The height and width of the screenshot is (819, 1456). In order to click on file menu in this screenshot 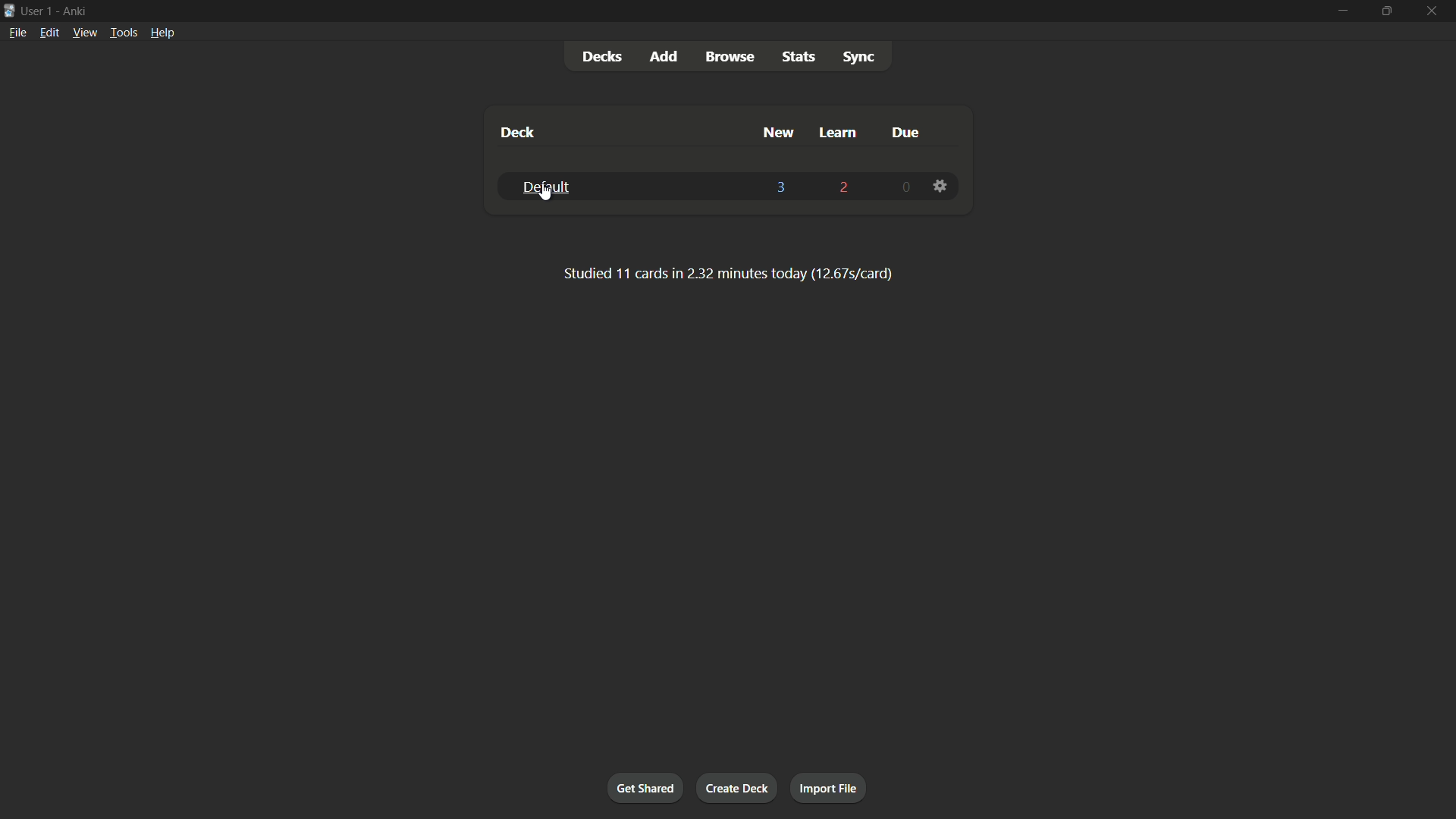, I will do `click(17, 33)`.